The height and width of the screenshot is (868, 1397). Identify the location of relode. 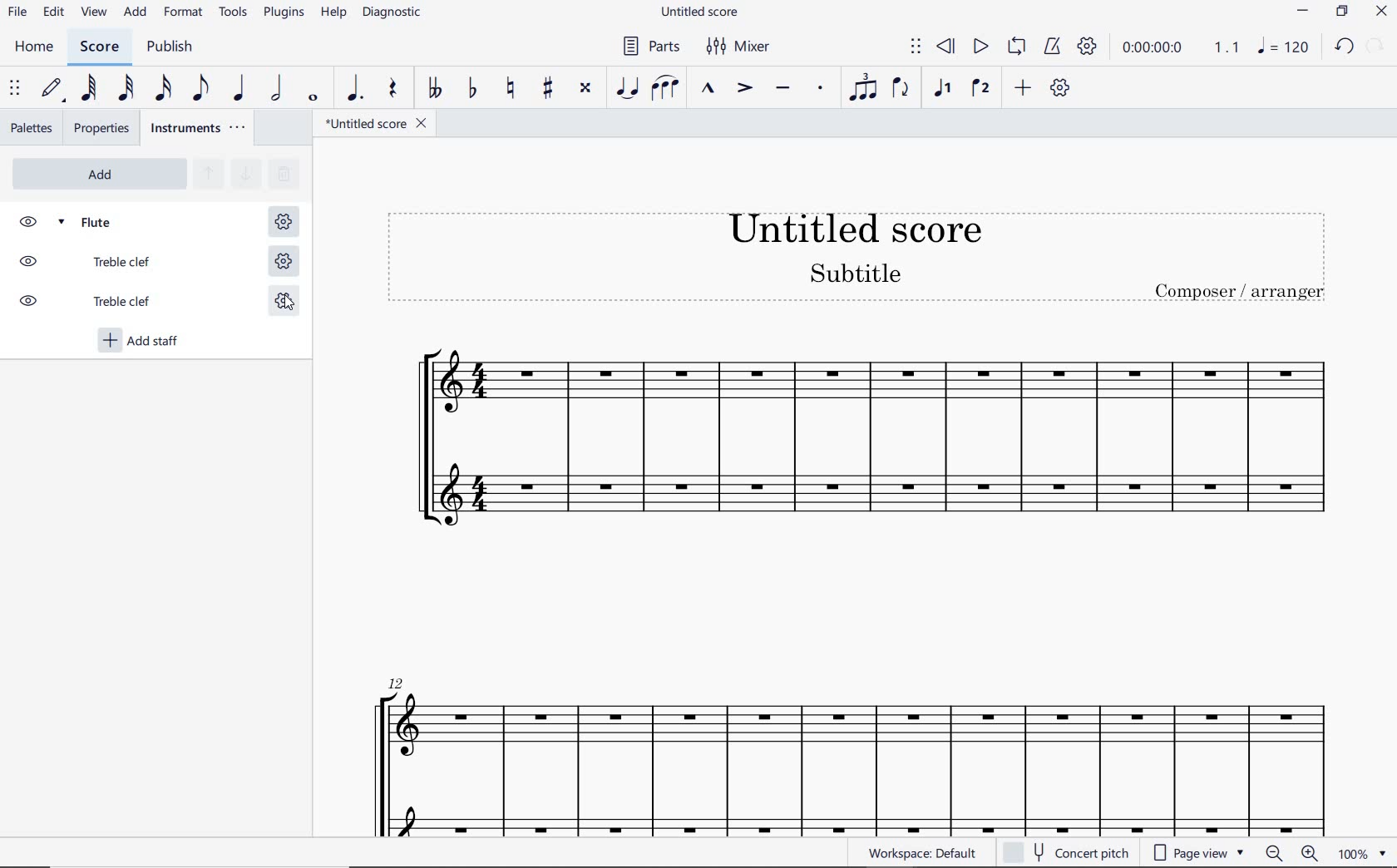
(1376, 44).